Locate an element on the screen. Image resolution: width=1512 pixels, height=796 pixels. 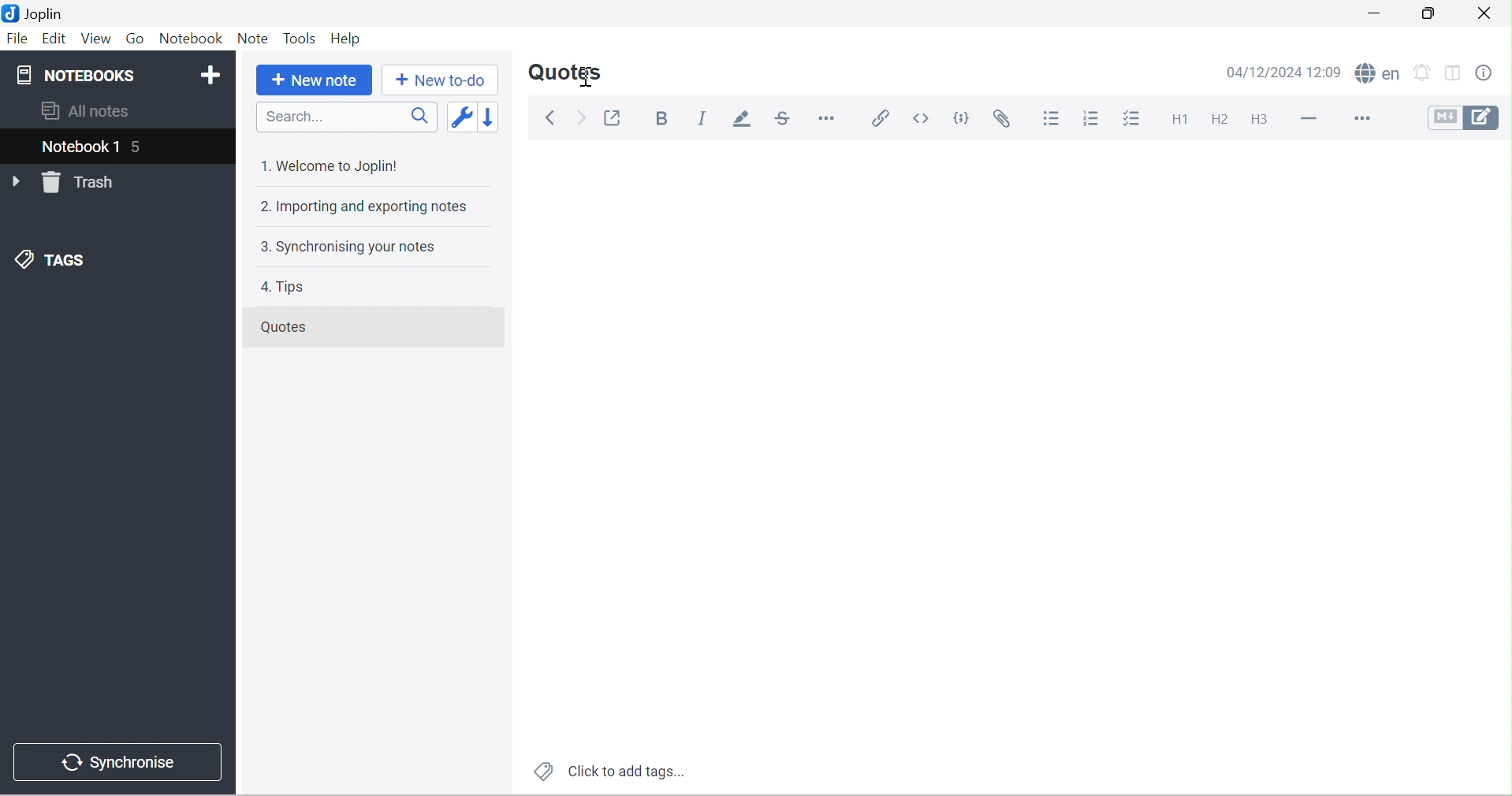
Note properties is located at coordinates (1494, 70).